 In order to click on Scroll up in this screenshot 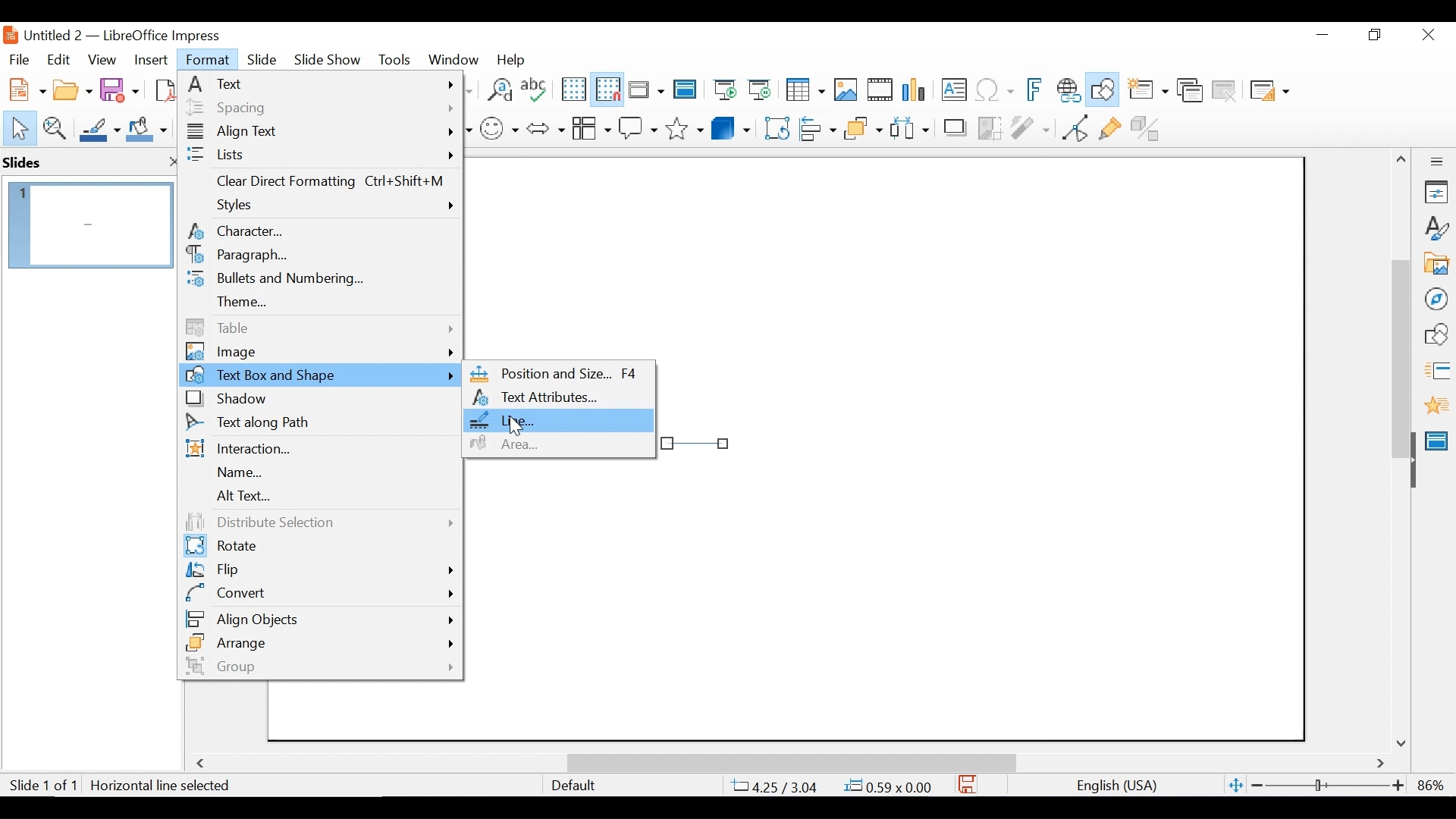, I will do `click(1402, 159)`.